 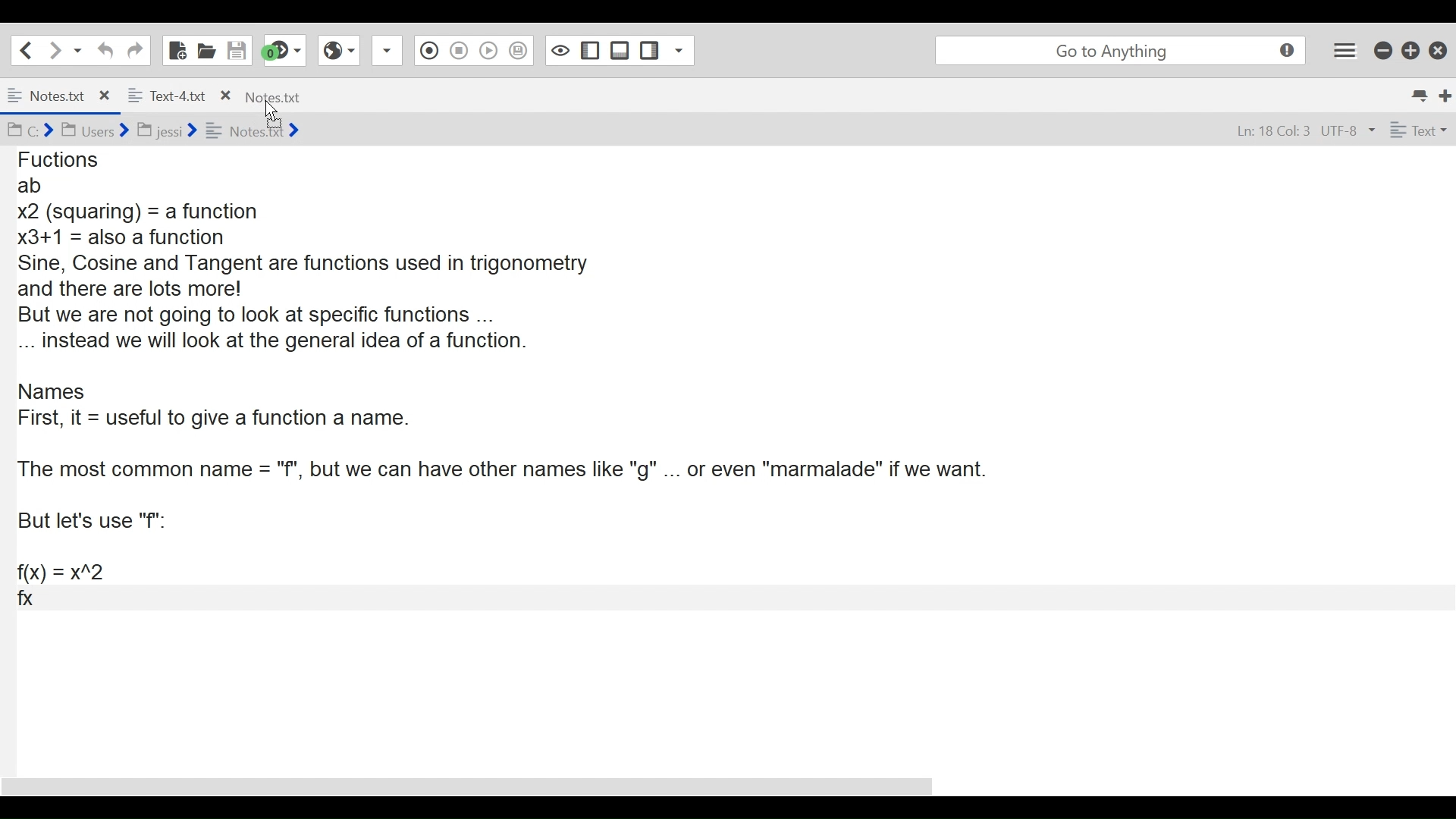 I want to click on Show/Hide Right Pane , so click(x=650, y=50).